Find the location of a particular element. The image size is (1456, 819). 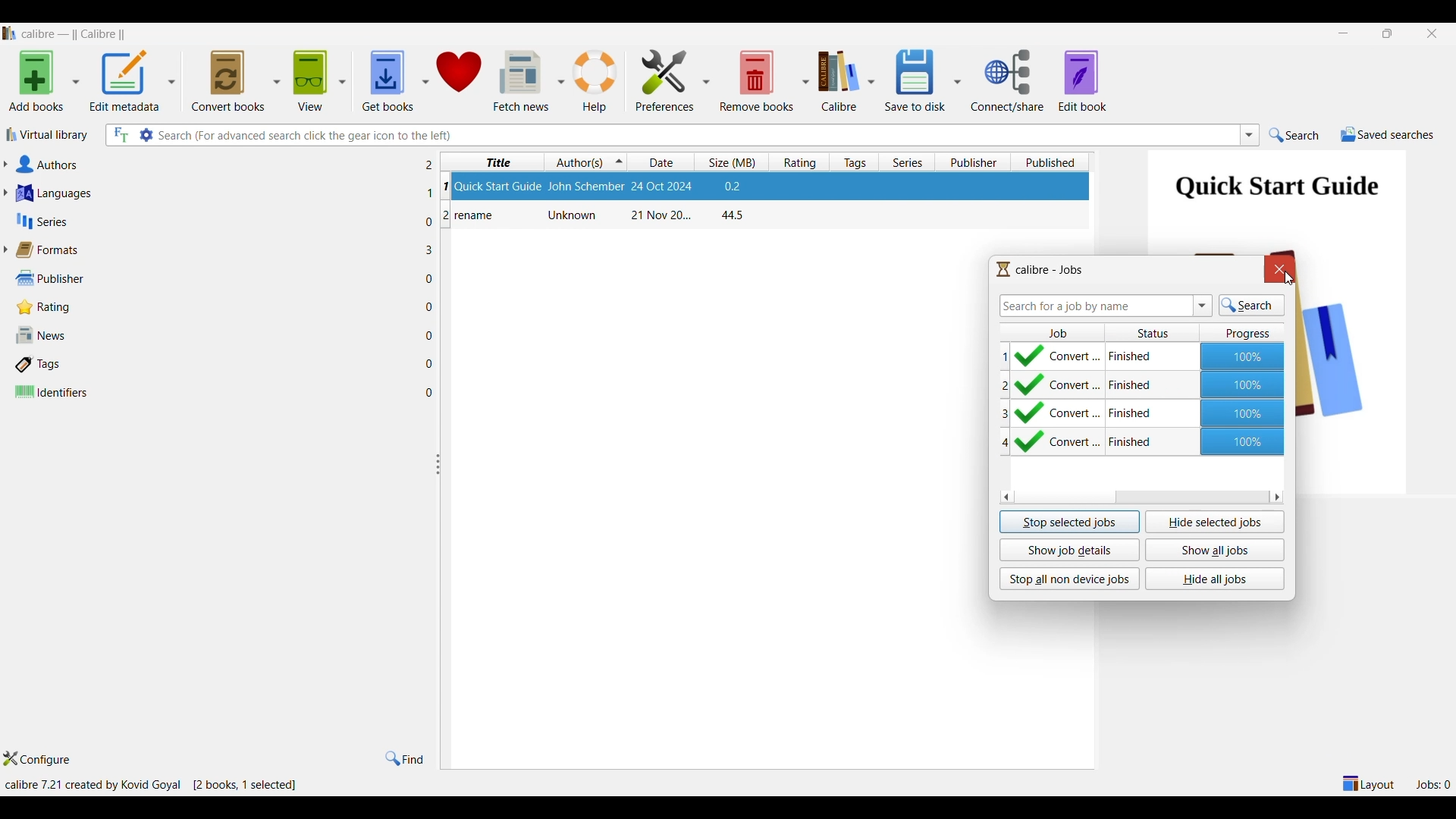

Publisher is located at coordinates (215, 279).